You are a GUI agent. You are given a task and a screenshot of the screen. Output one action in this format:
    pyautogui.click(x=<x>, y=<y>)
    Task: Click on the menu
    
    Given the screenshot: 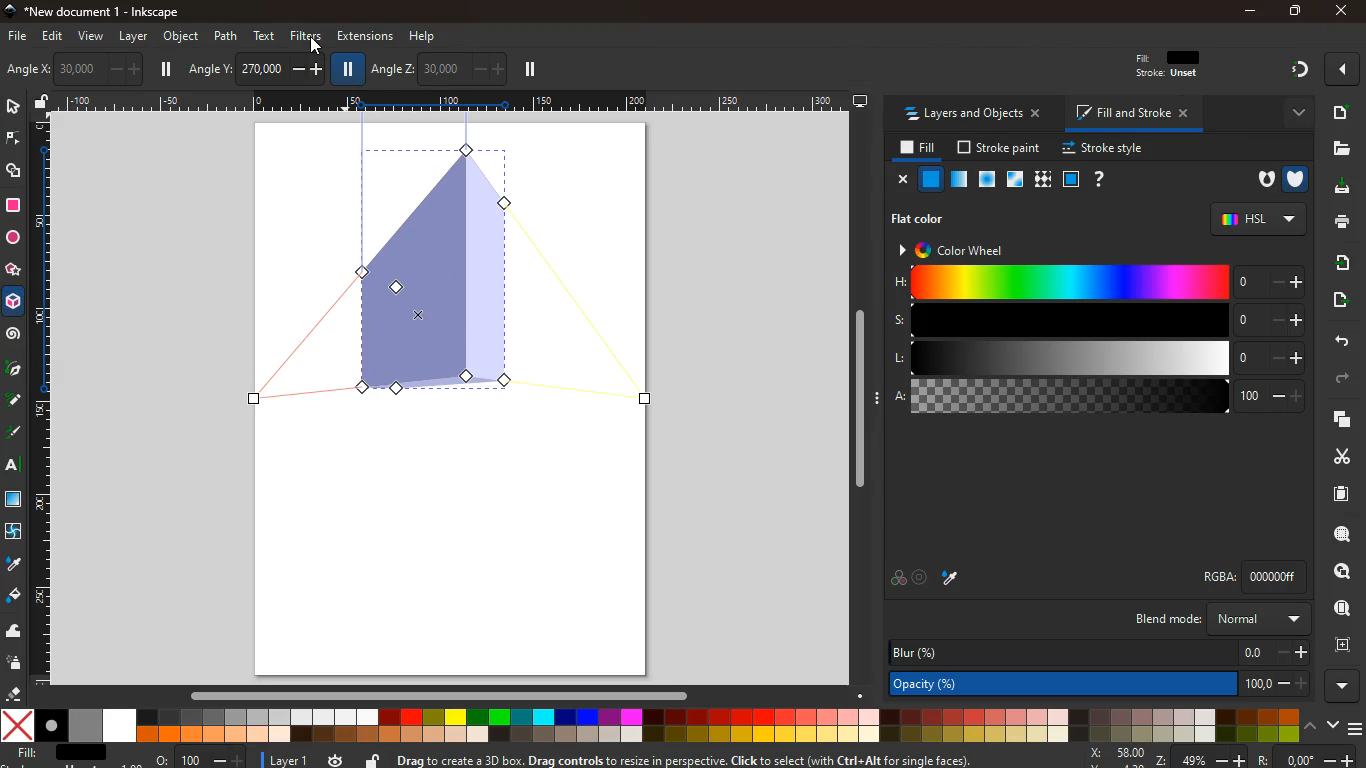 What is the action you would take?
    pyautogui.click(x=1354, y=724)
    